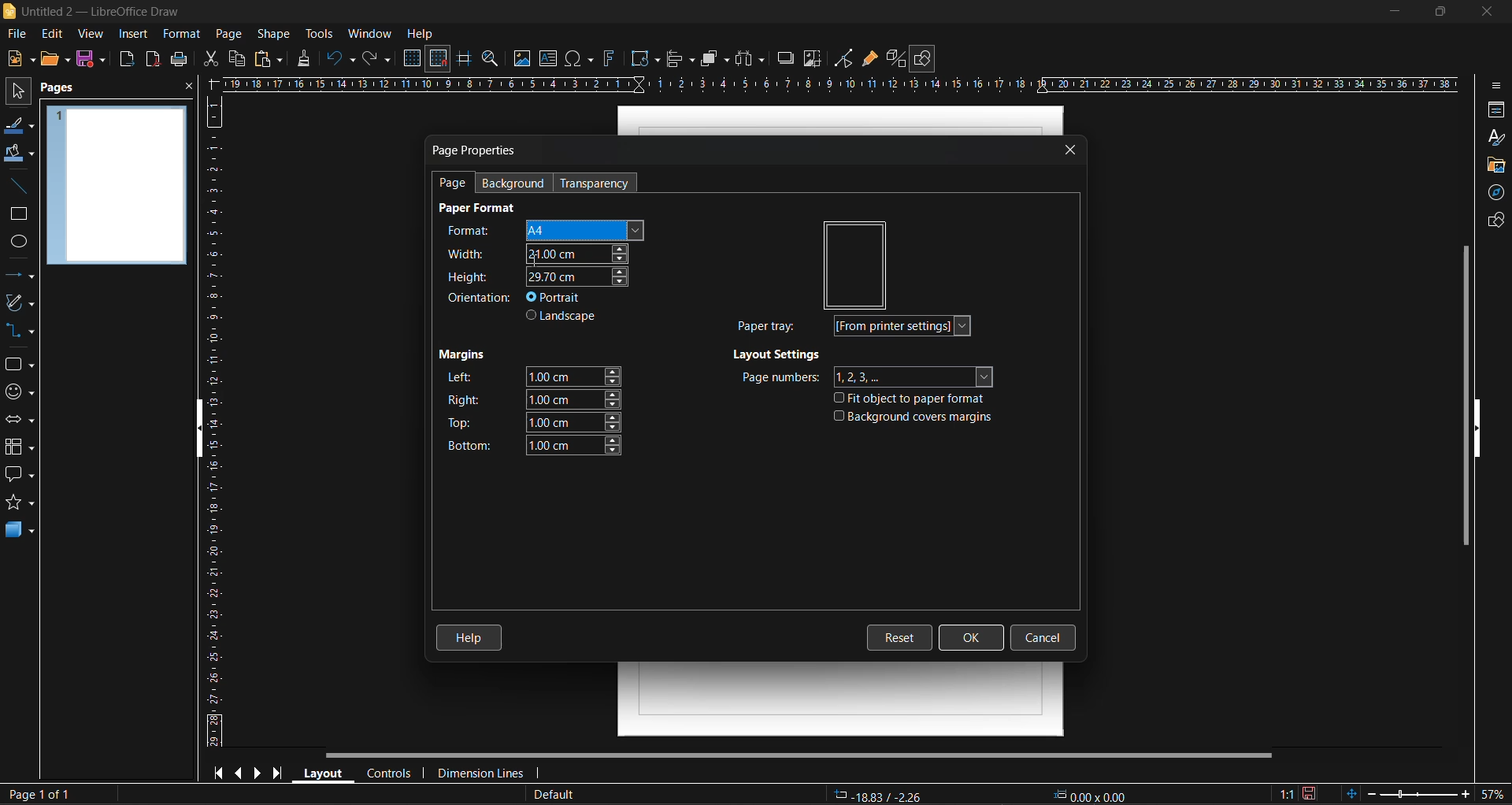  Describe the element at coordinates (1072, 150) in the screenshot. I see `close` at that location.